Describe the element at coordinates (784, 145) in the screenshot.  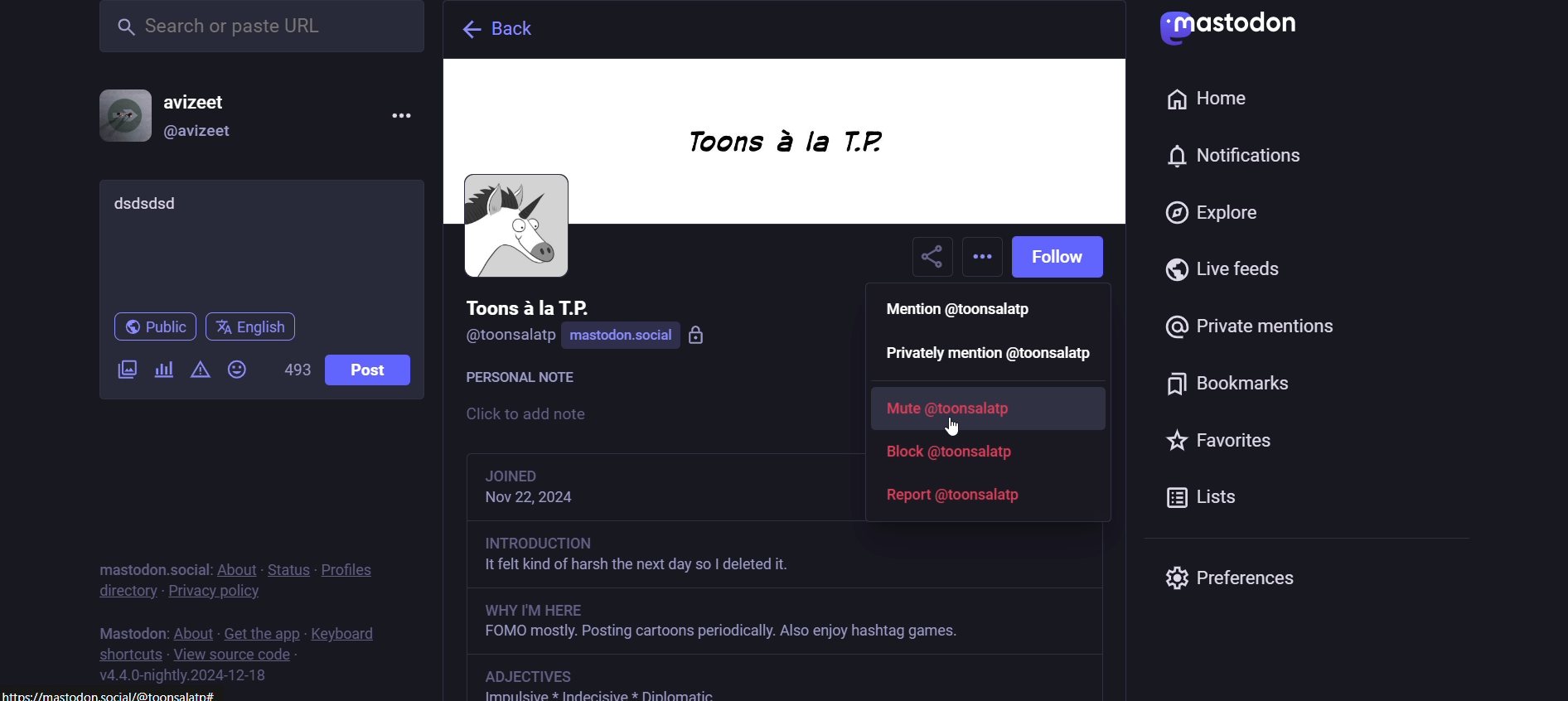
I see `cover picture` at that location.